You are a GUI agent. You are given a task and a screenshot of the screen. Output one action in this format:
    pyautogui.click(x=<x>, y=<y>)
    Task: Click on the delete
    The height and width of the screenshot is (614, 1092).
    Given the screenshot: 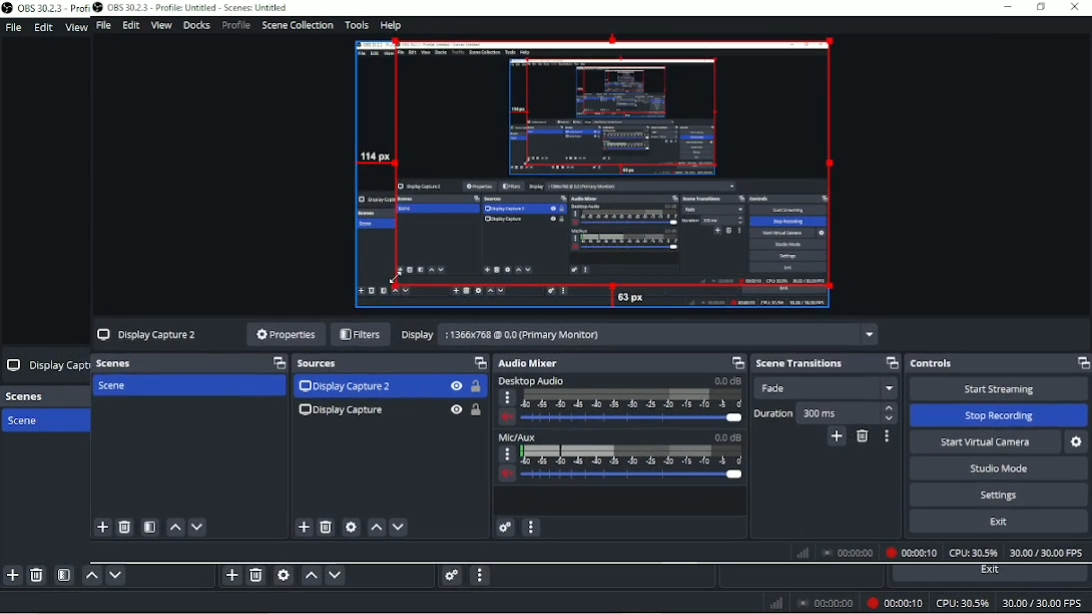 What is the action you would take?
    pyautogui.click(x=327, y=527)
    